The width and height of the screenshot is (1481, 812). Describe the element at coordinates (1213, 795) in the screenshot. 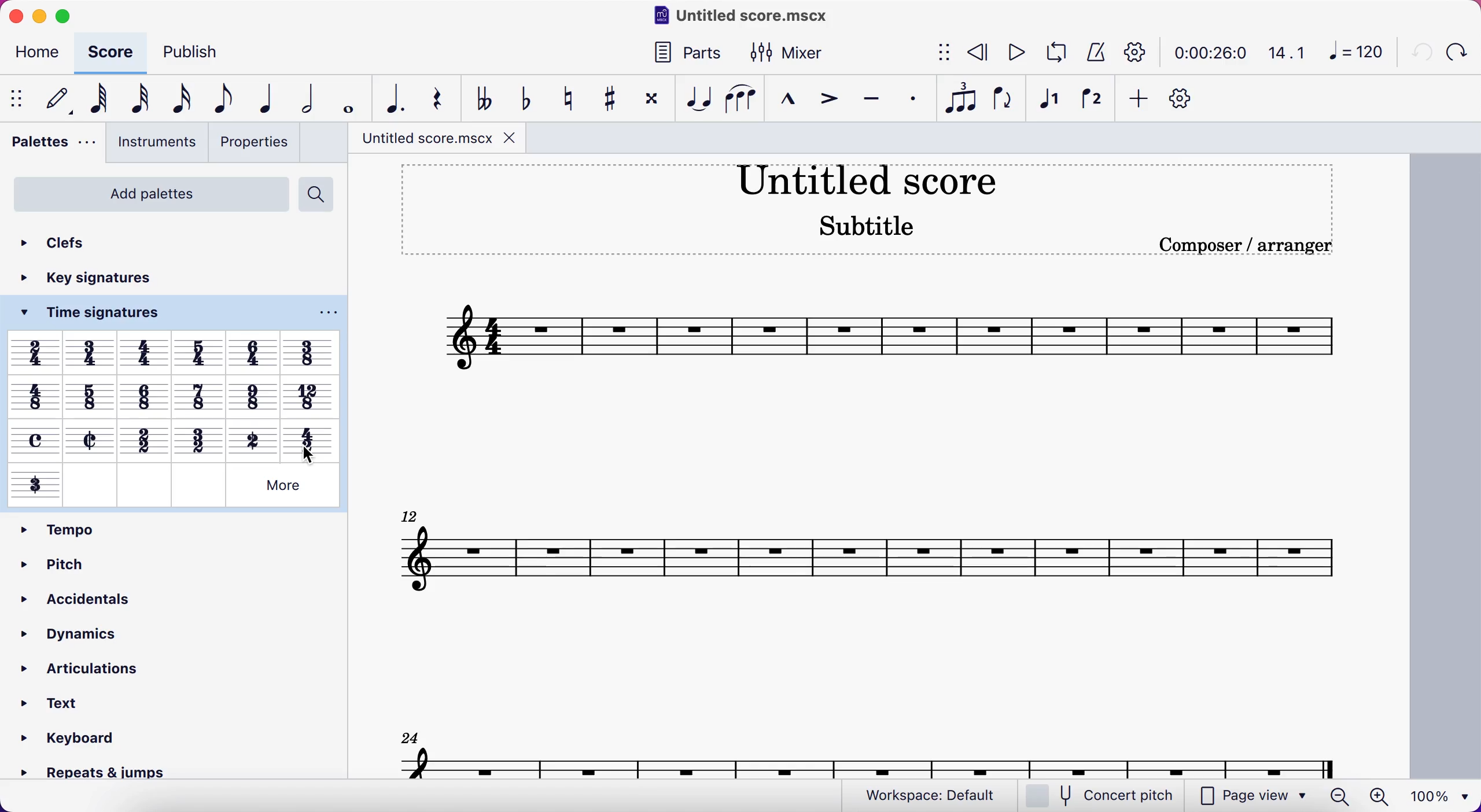

I see `page view` at that location.